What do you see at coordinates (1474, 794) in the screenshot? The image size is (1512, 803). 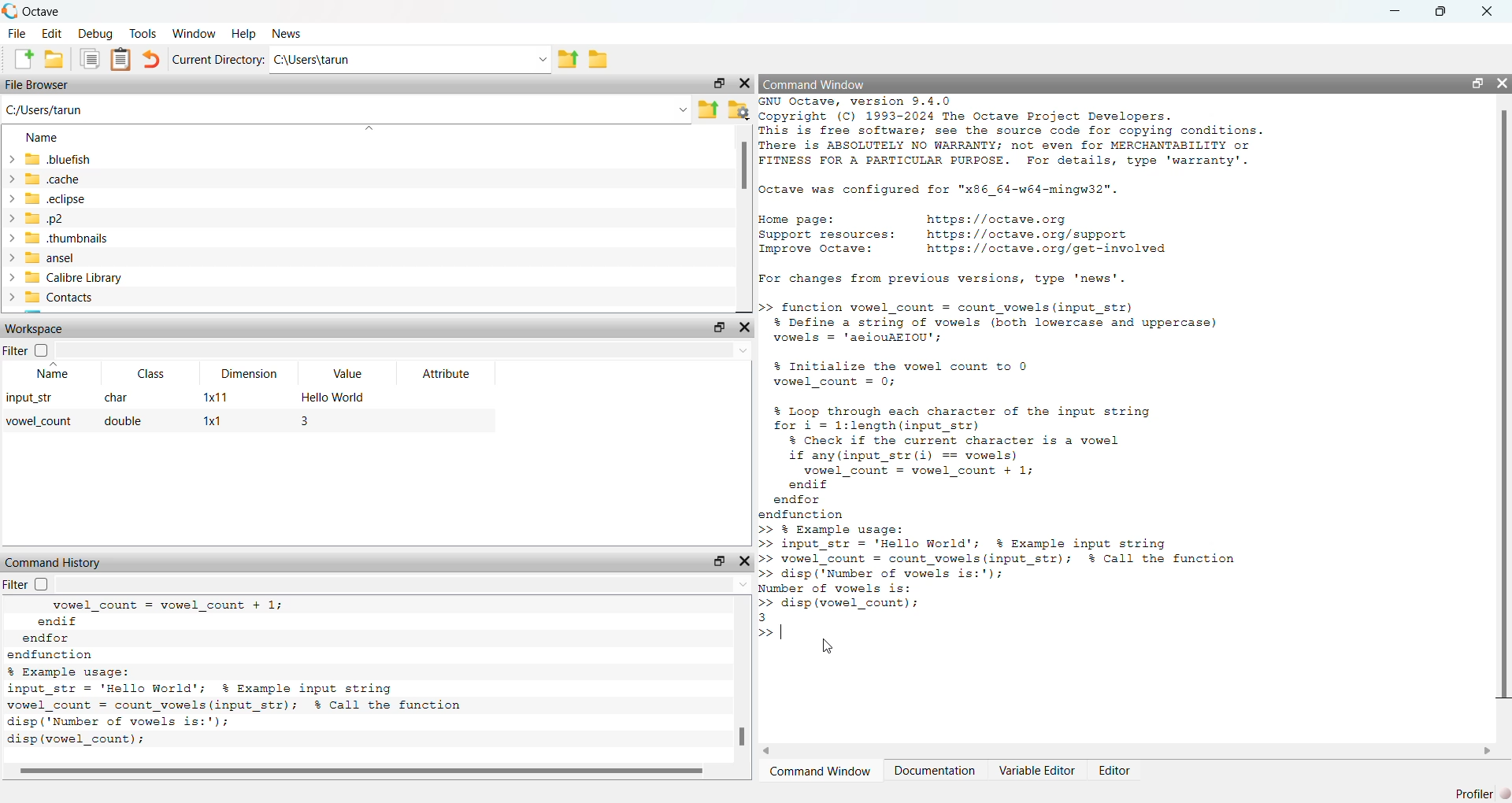 I see `Profiler` at bounding box center [1474, 794].